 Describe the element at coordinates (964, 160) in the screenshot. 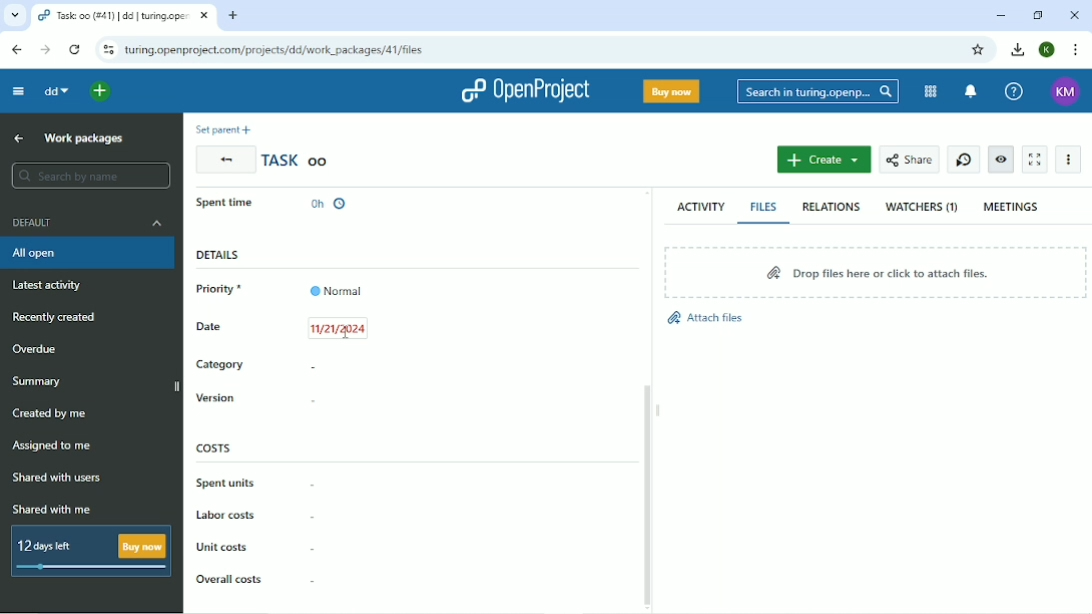

I see `Start new timer` at that location.